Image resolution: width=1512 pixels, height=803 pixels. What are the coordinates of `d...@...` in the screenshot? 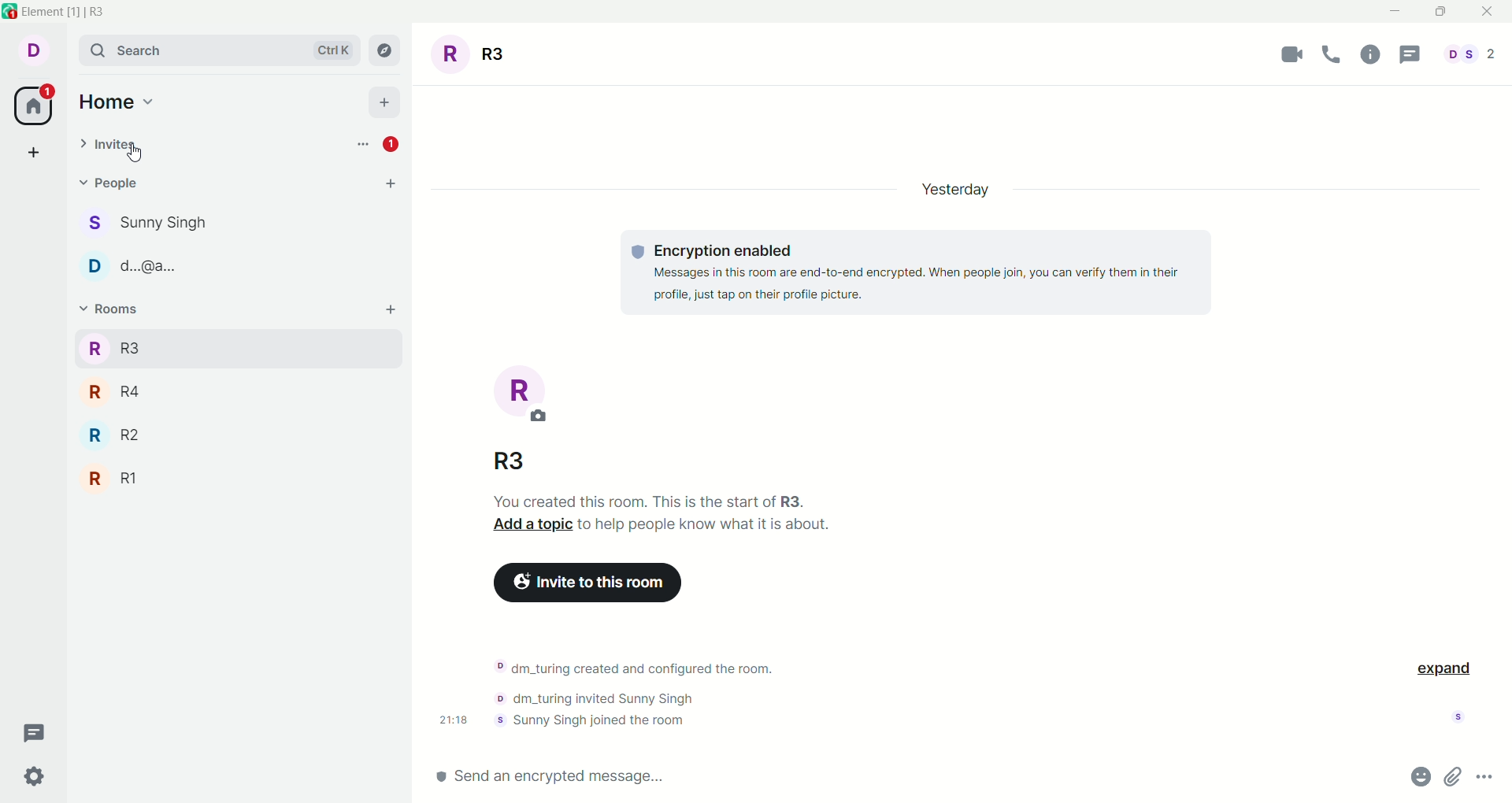 It's located at (238, 265).